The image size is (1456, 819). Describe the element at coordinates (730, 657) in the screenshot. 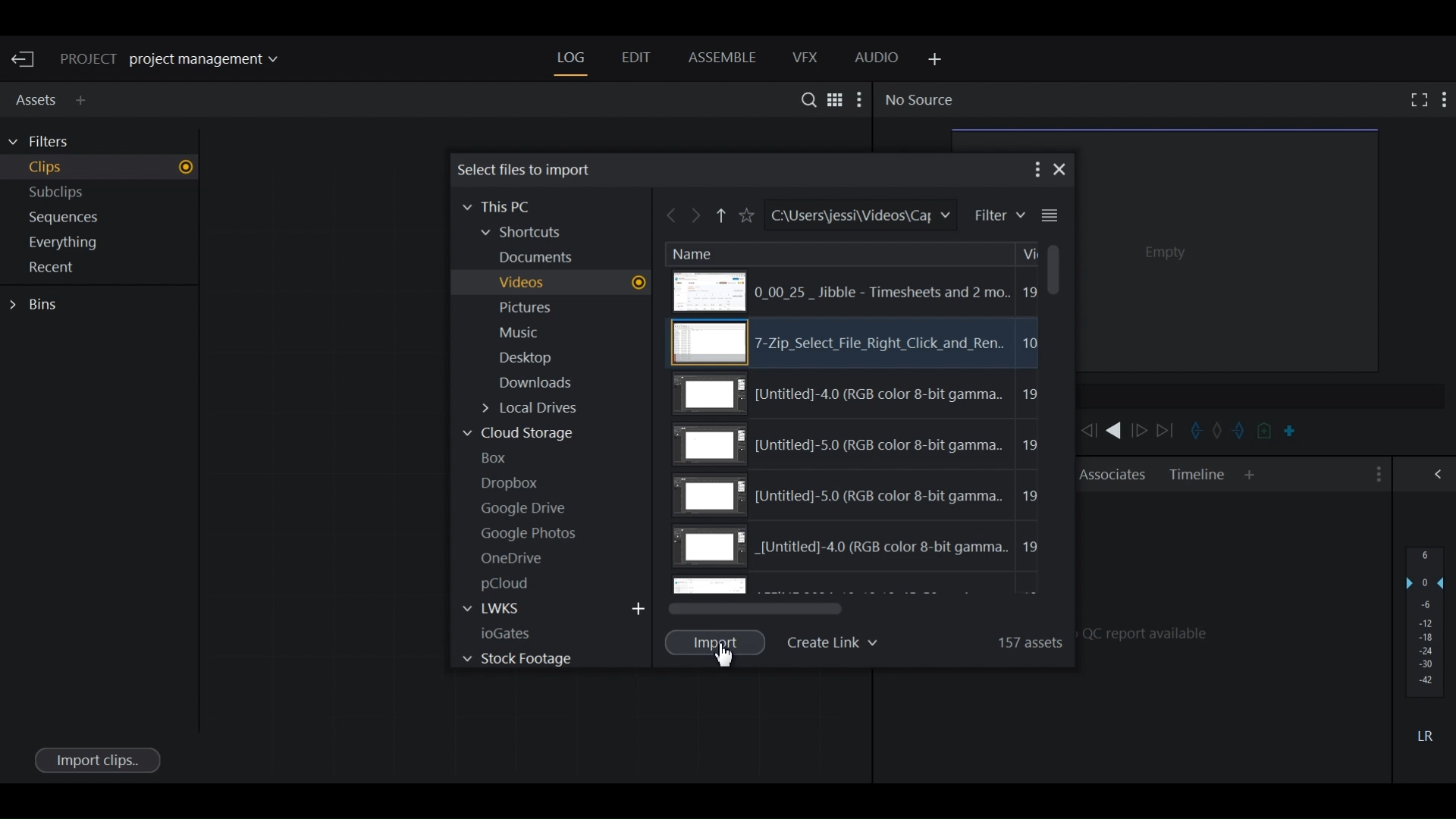

I see `Cursor` at that location.